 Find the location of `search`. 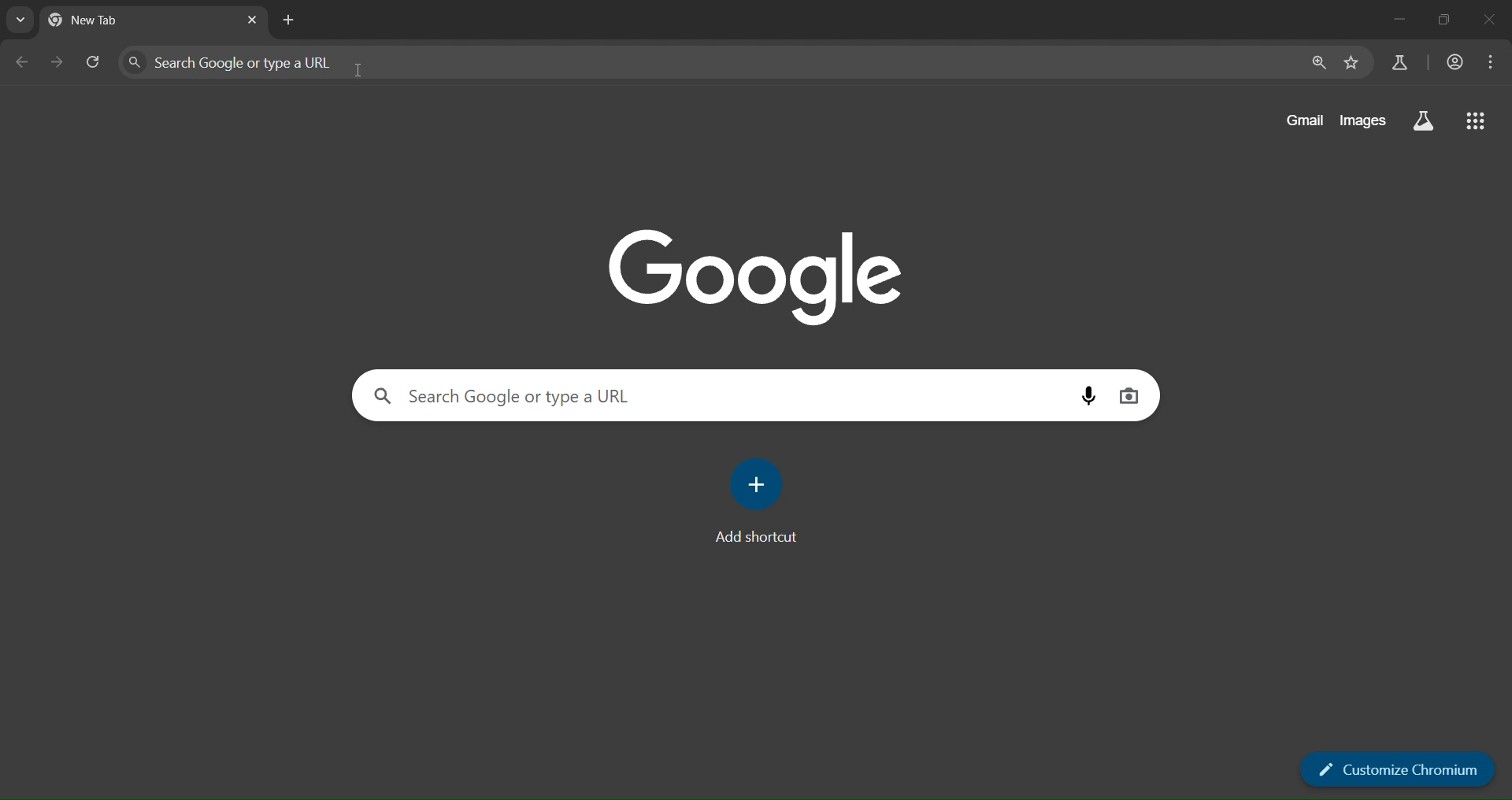

search is located at coordinates (567, 396).